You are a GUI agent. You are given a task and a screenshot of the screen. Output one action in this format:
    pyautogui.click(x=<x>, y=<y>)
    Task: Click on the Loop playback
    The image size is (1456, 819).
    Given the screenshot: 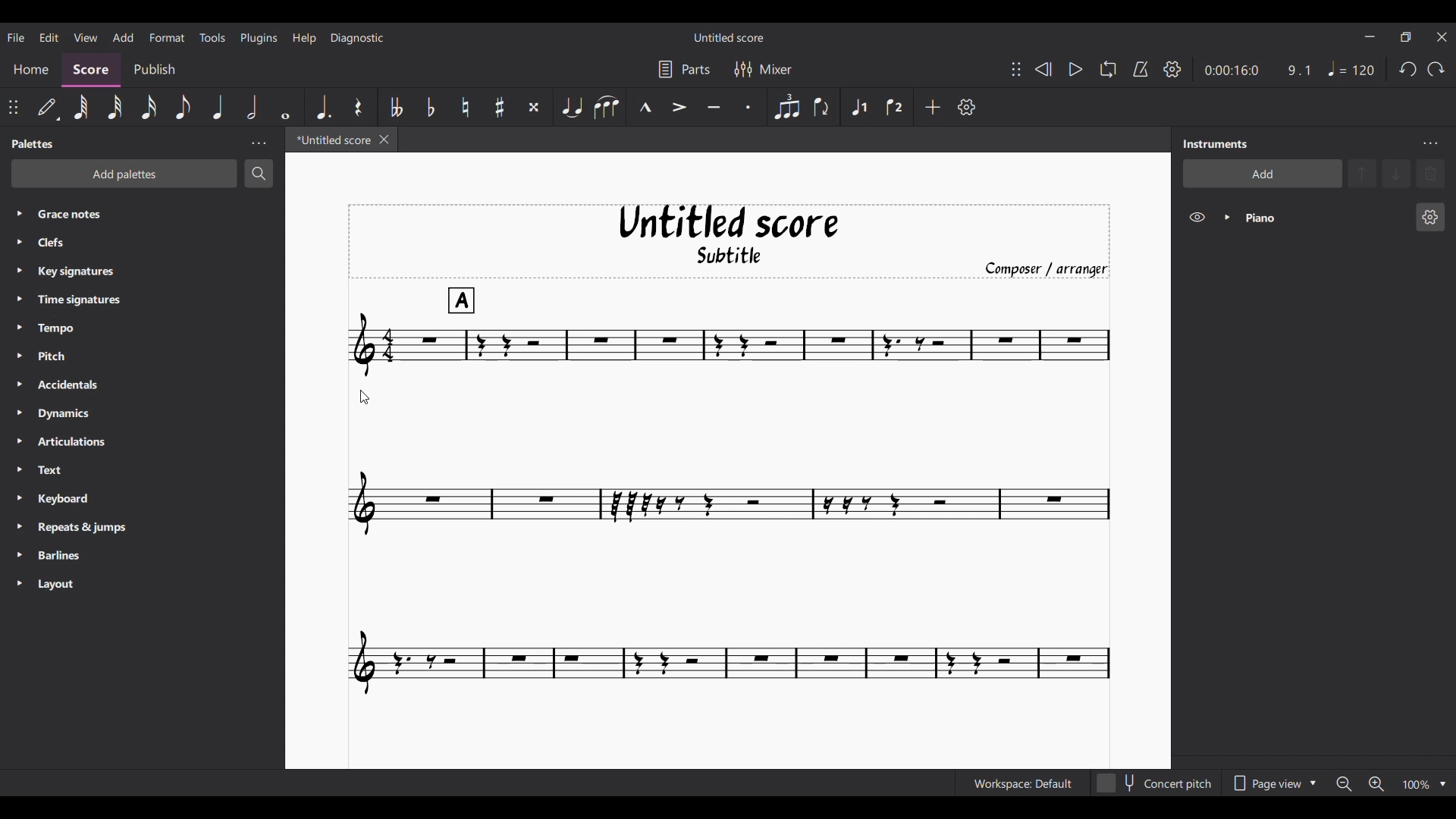 What is the action you would take?
    pyautogui.click(x=1108, y=69)
    